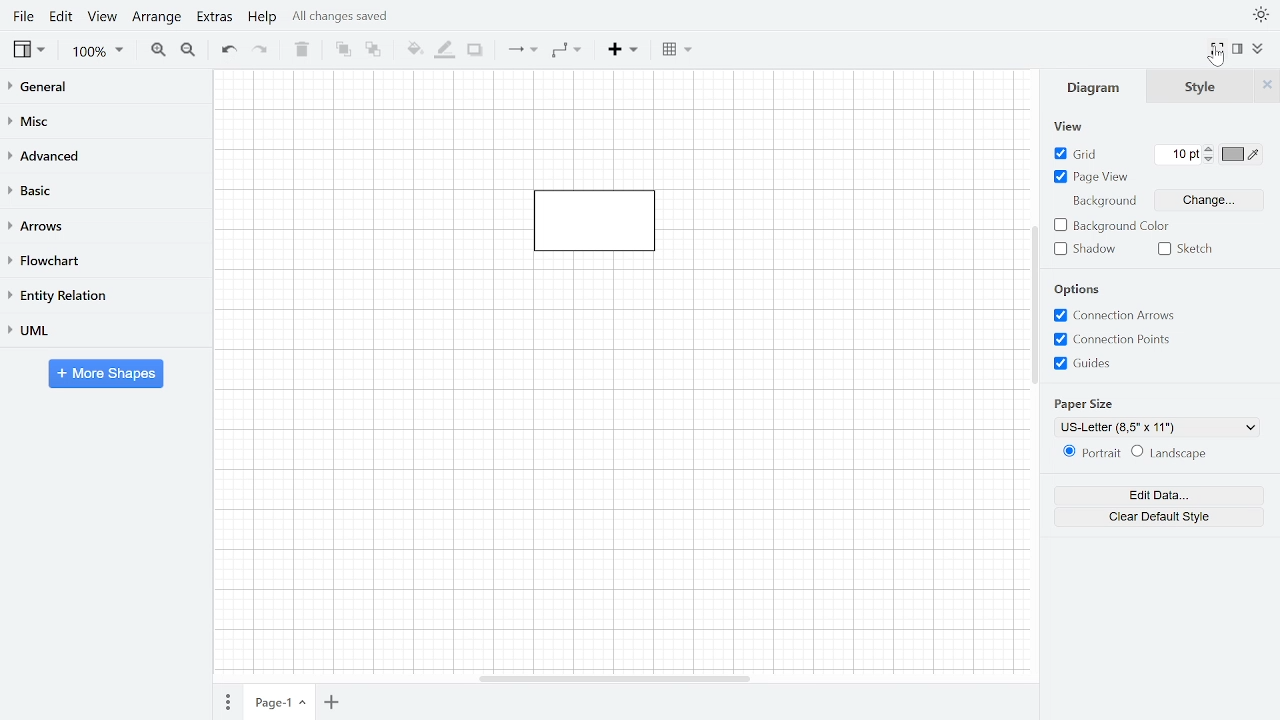  Describe the element at coordinates (1259, 49) in the screenshot. I see `Collpase` at that location.